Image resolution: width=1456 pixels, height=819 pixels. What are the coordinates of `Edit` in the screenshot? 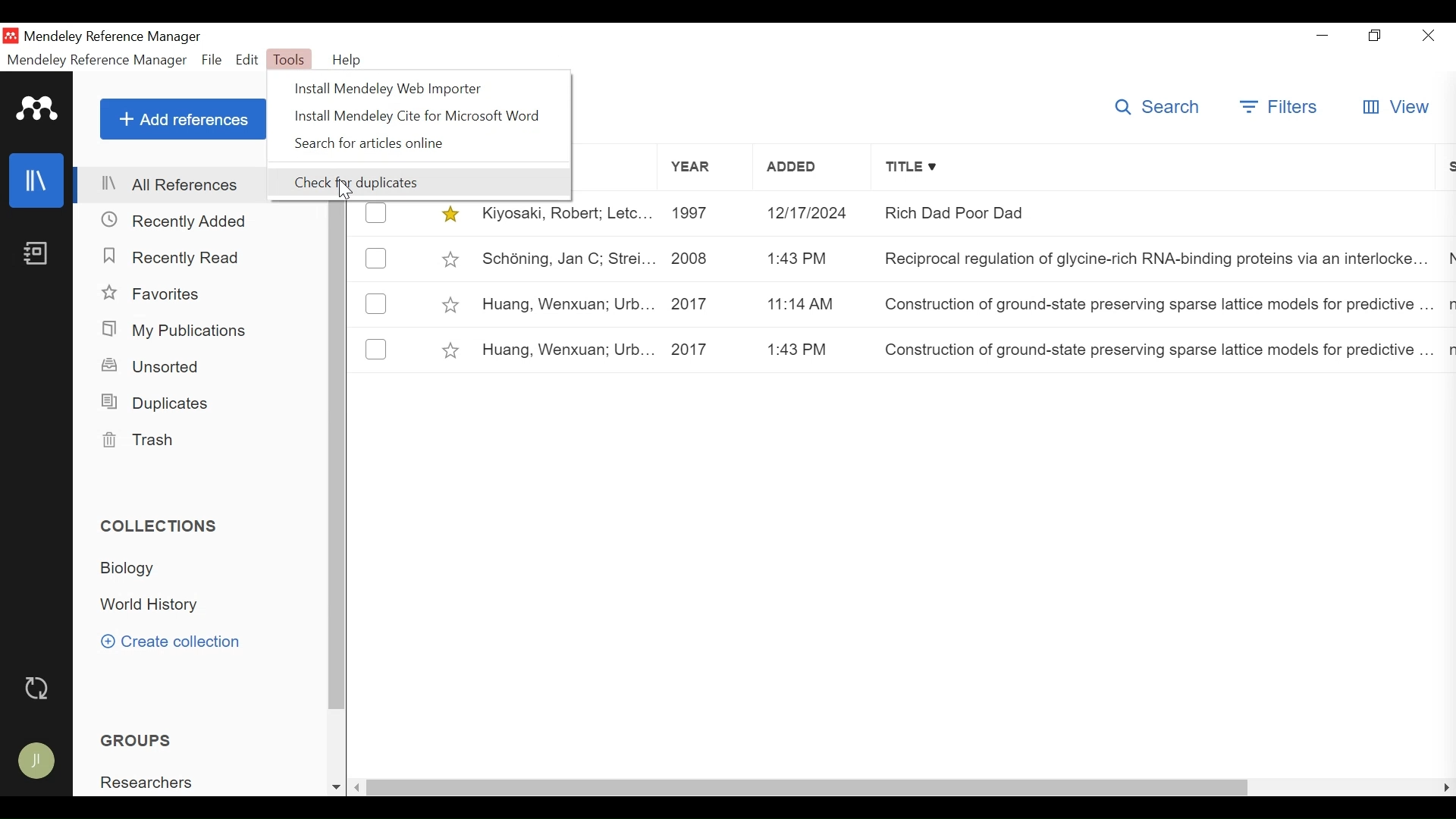 It's located at (249, 60).